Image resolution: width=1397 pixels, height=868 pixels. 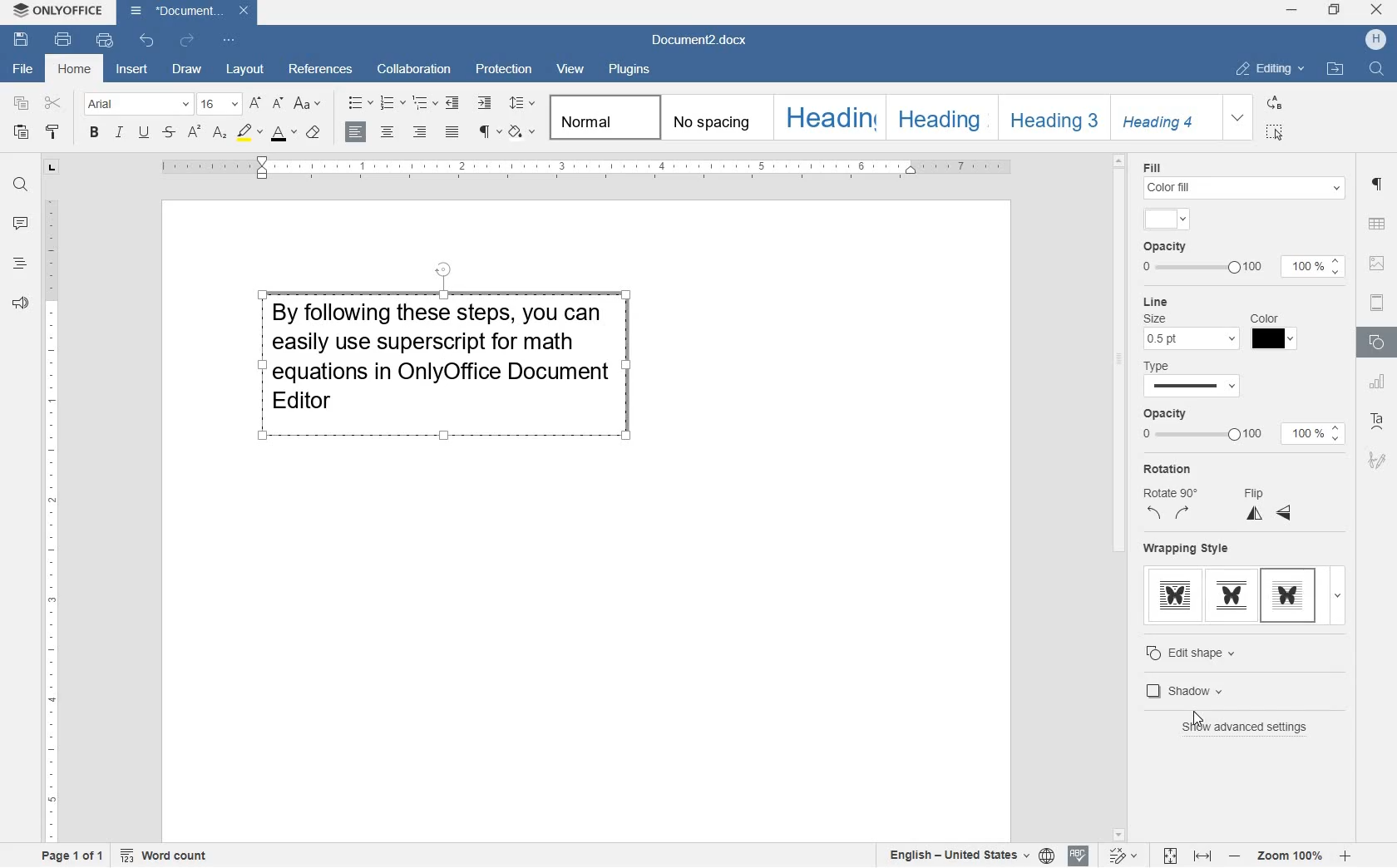 I want to click on fill color settings, so click(x=1242, y=179).